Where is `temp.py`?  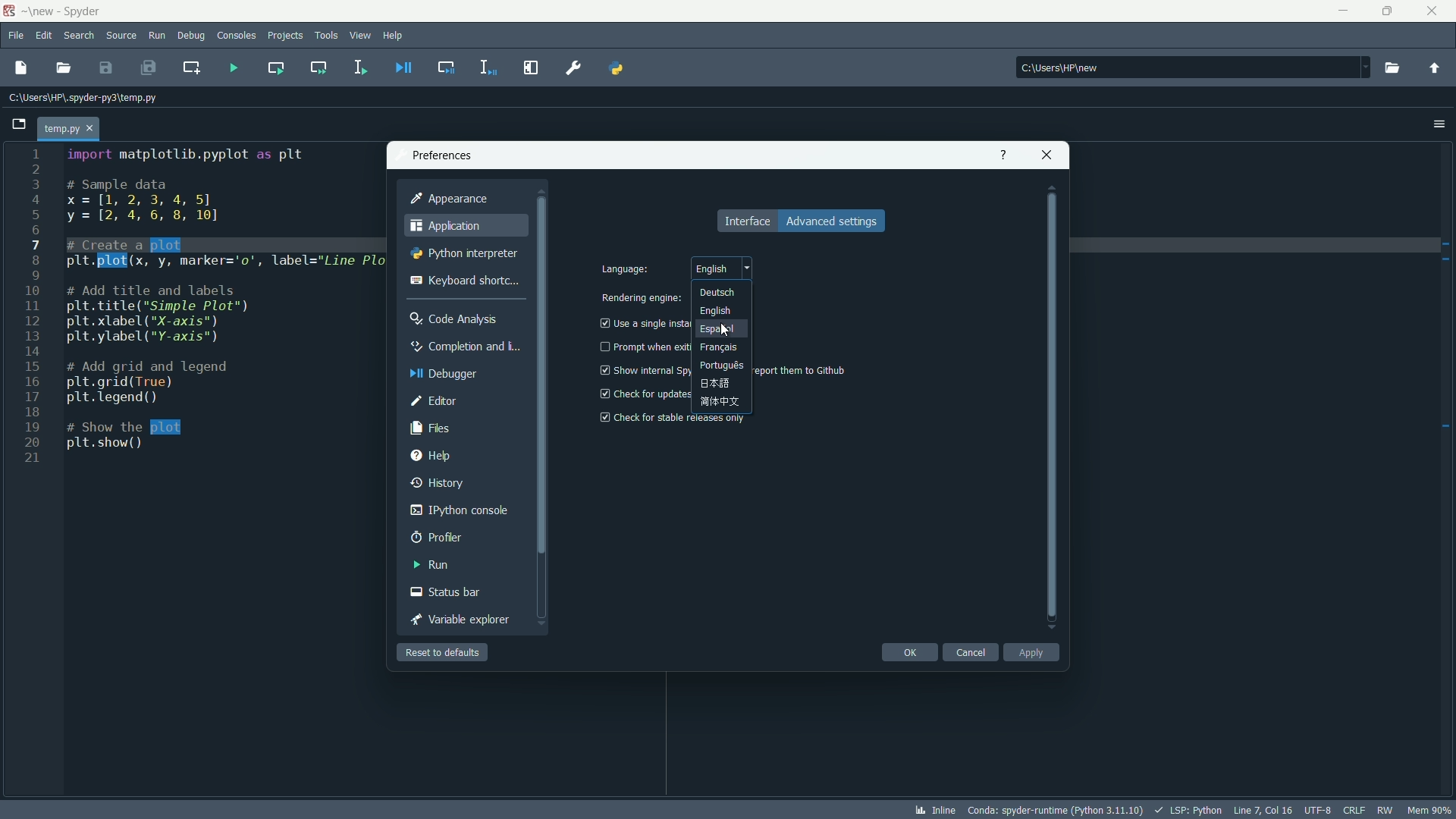
temp.py is located at coordinates (69, 128).